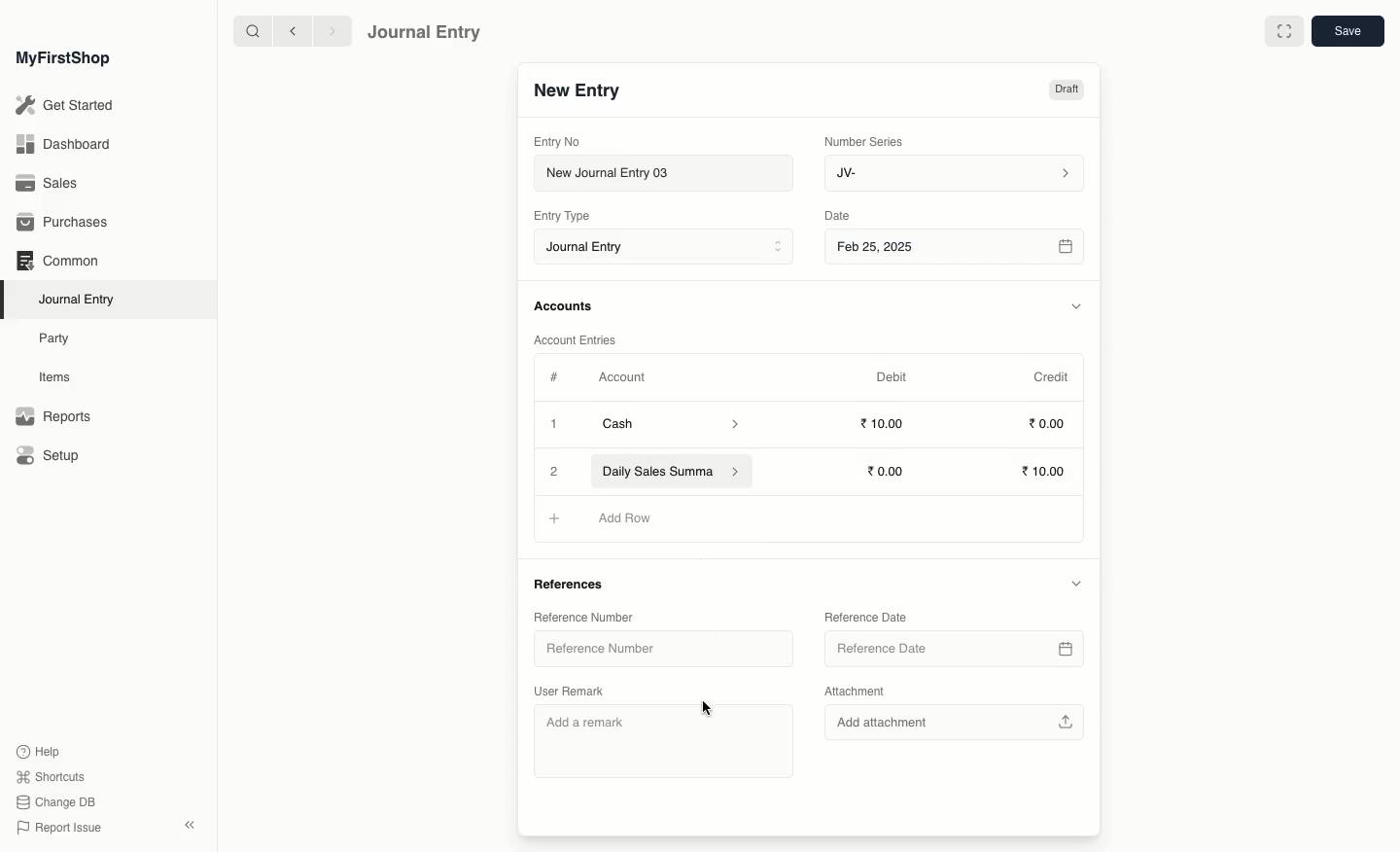 The width and height of the screenshot is (1400, 852). Describe the element at coordinates (55, 337) in the screenshot. I see `Party` at that location.